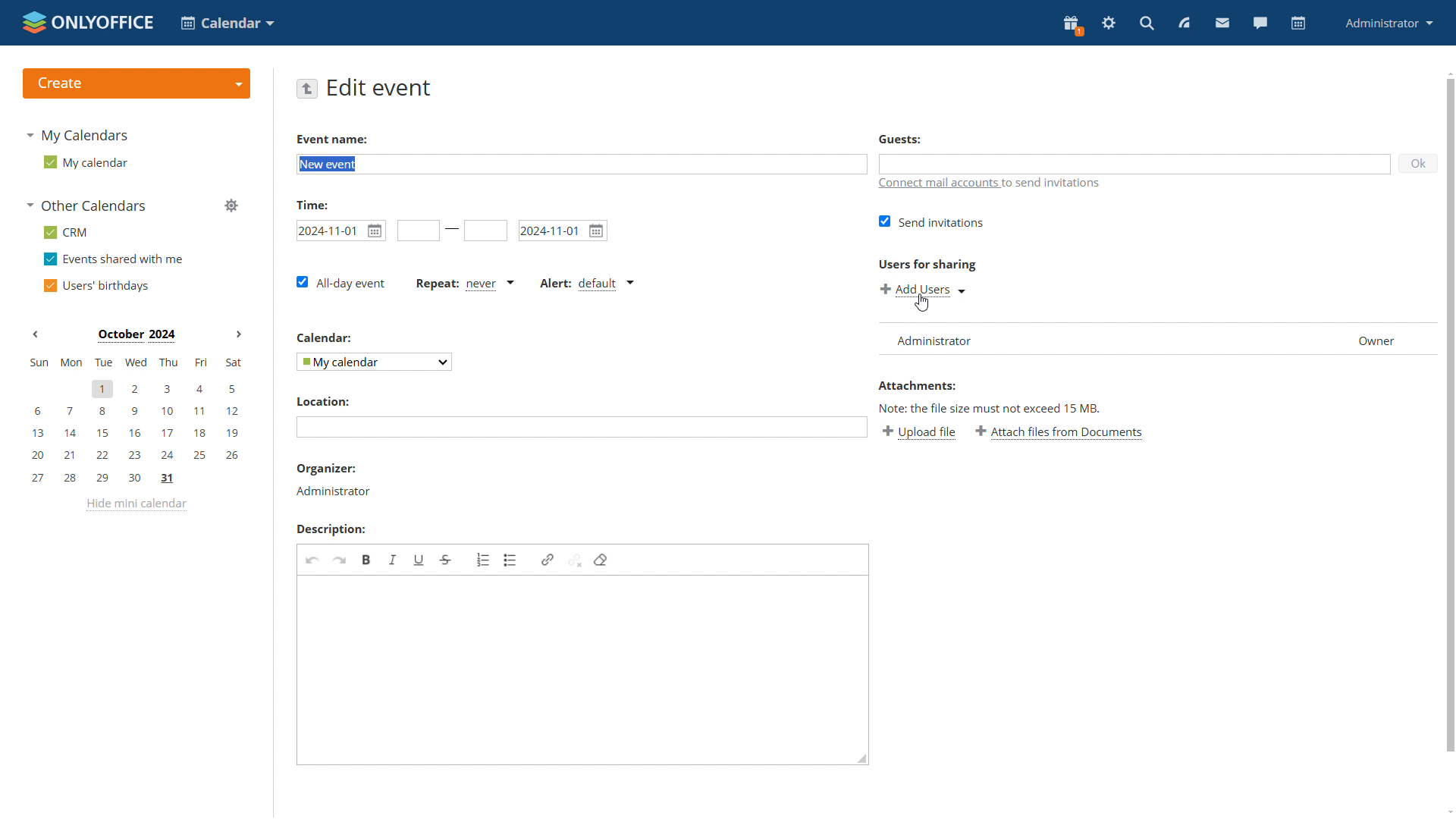  I want to click on all-day event checkbox, so click(341, 281).